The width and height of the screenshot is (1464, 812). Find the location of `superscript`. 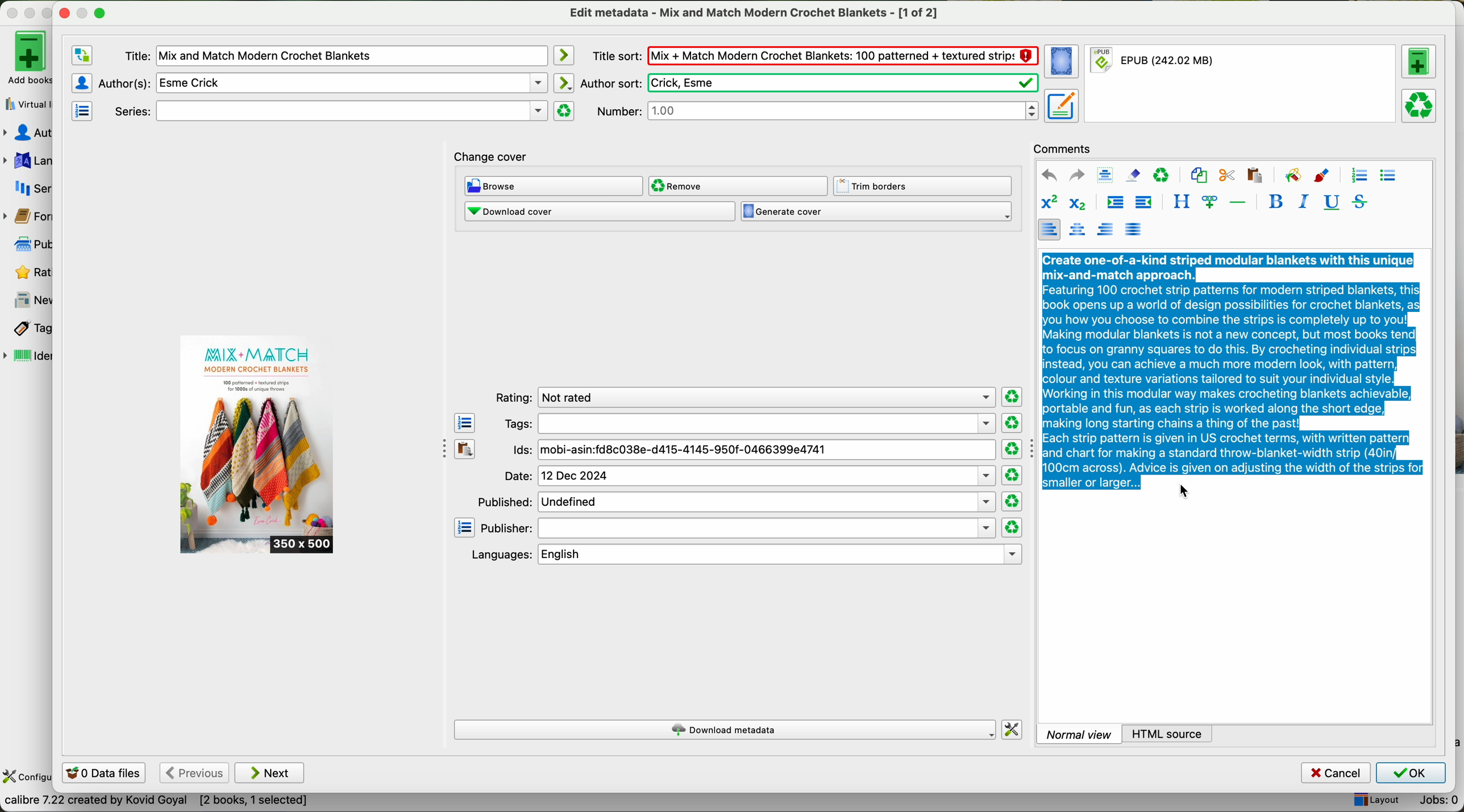

superscript is located at coordinates (1049, 203).